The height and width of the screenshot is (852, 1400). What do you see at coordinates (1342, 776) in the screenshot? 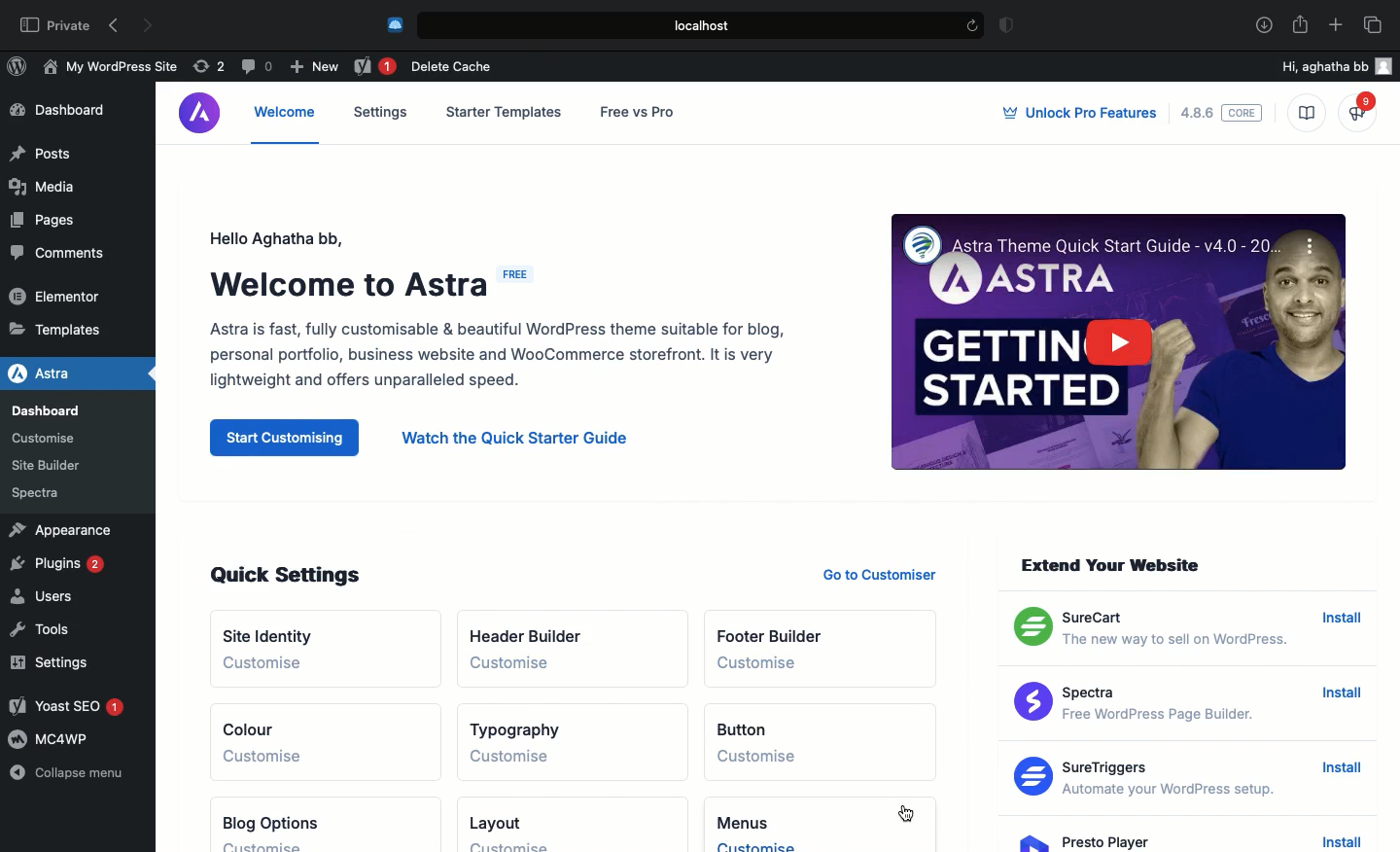
I see `Install` at bounding box center [1342, 776].